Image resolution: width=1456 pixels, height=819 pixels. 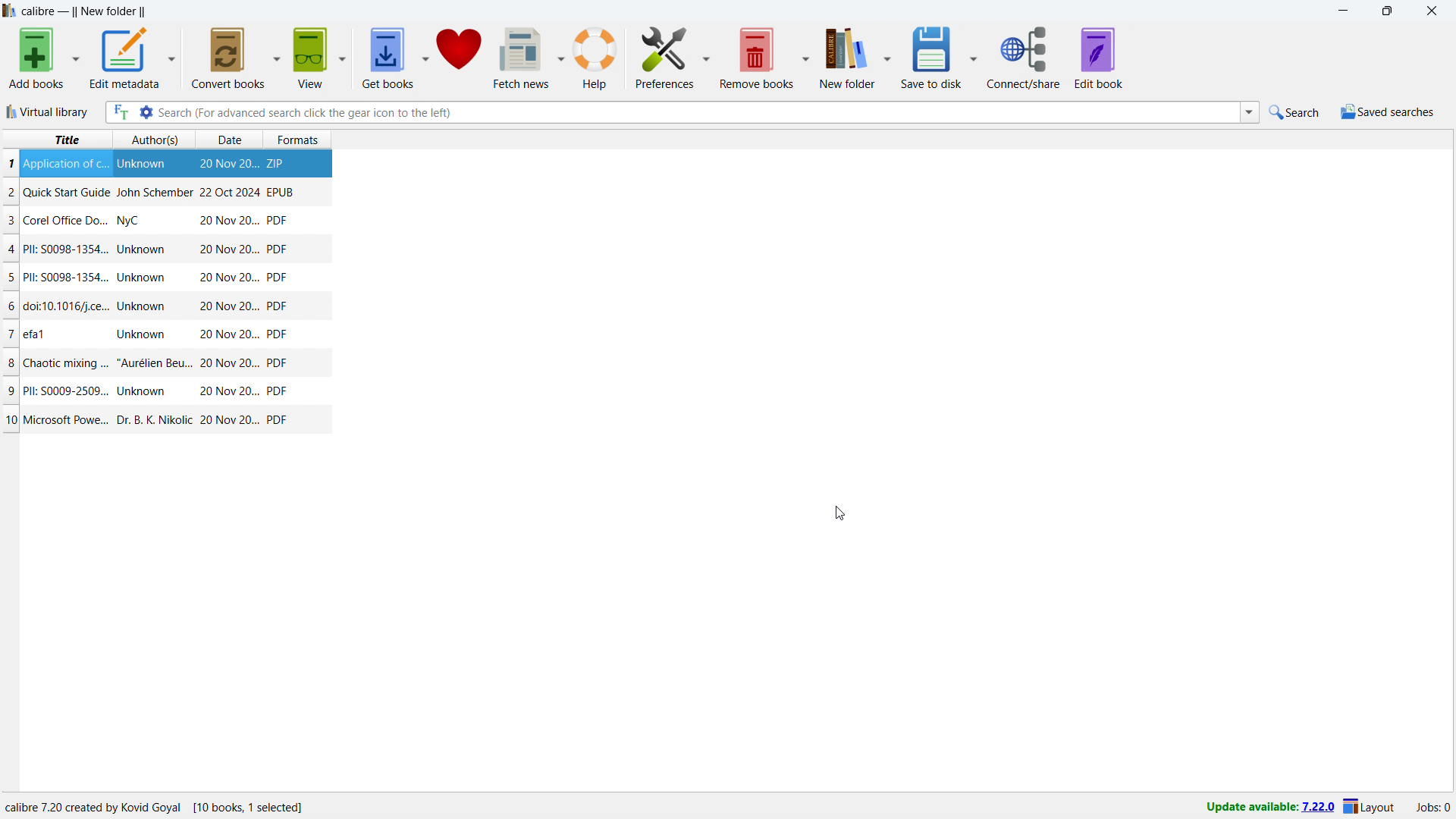 What do you see at coordinates (67, 277) in the screenshot?
I see `Title` at bounding box center [67, 277].